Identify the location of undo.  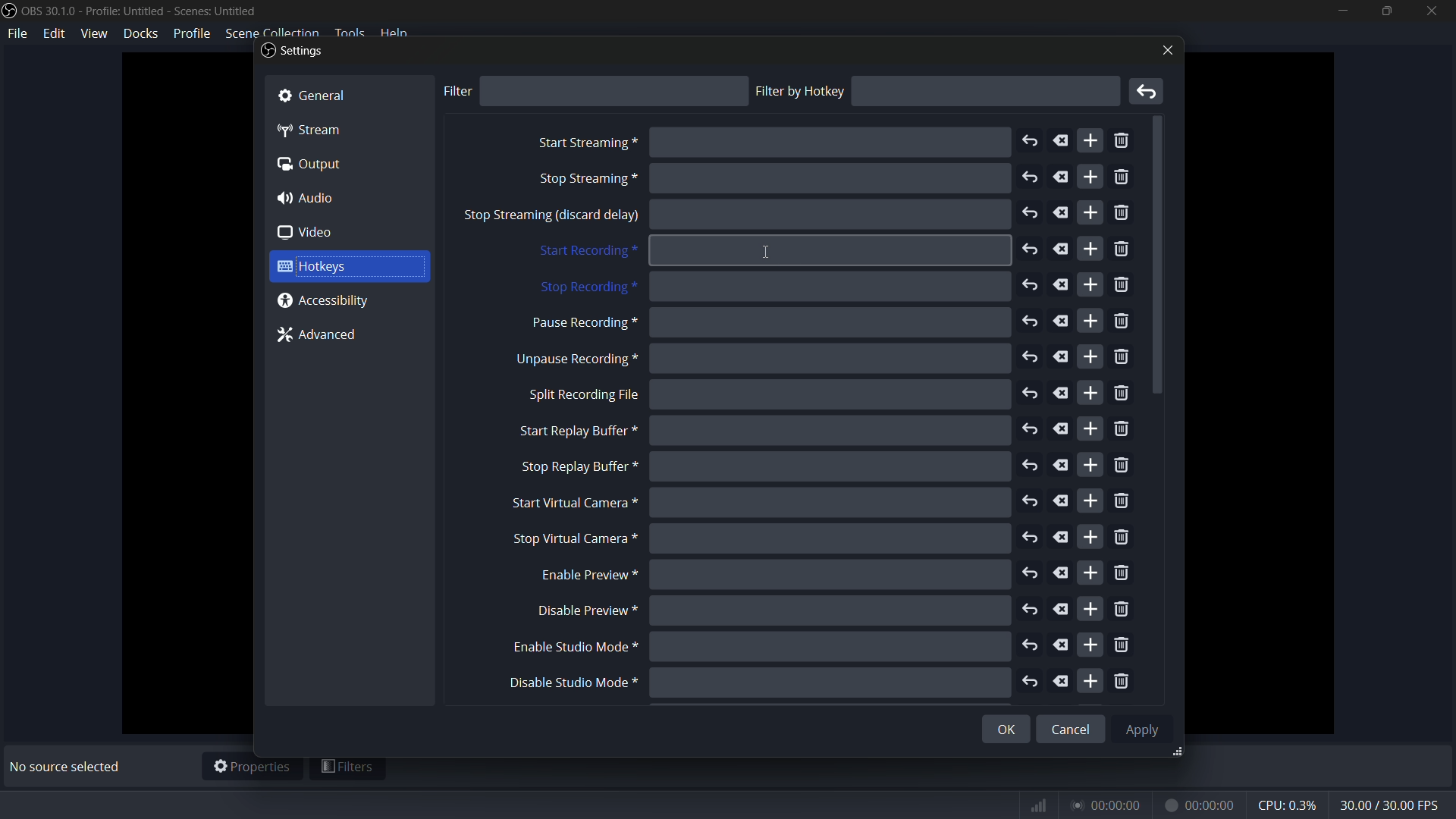
(1030, 177).